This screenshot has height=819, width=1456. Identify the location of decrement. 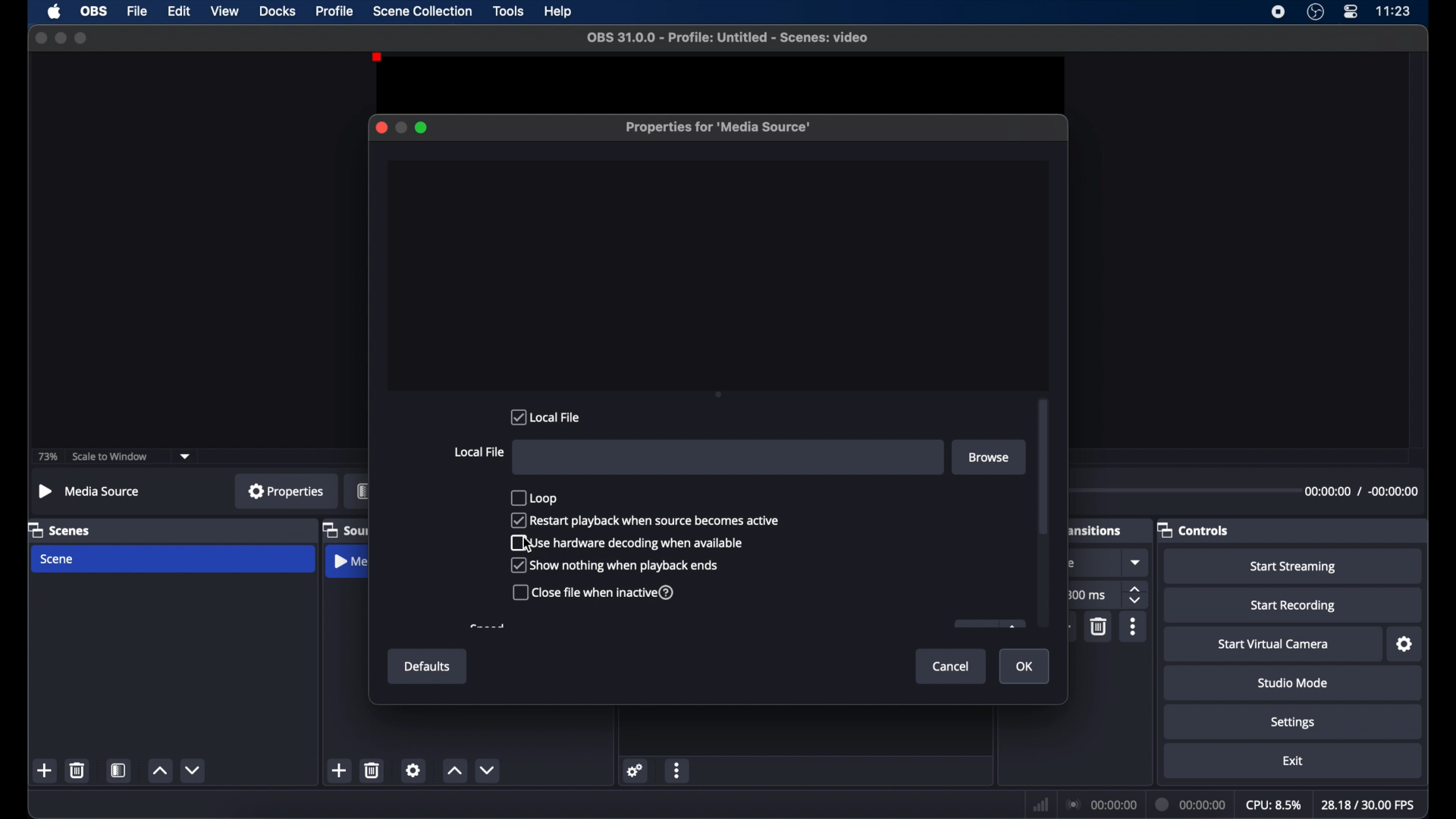
(488, 770).